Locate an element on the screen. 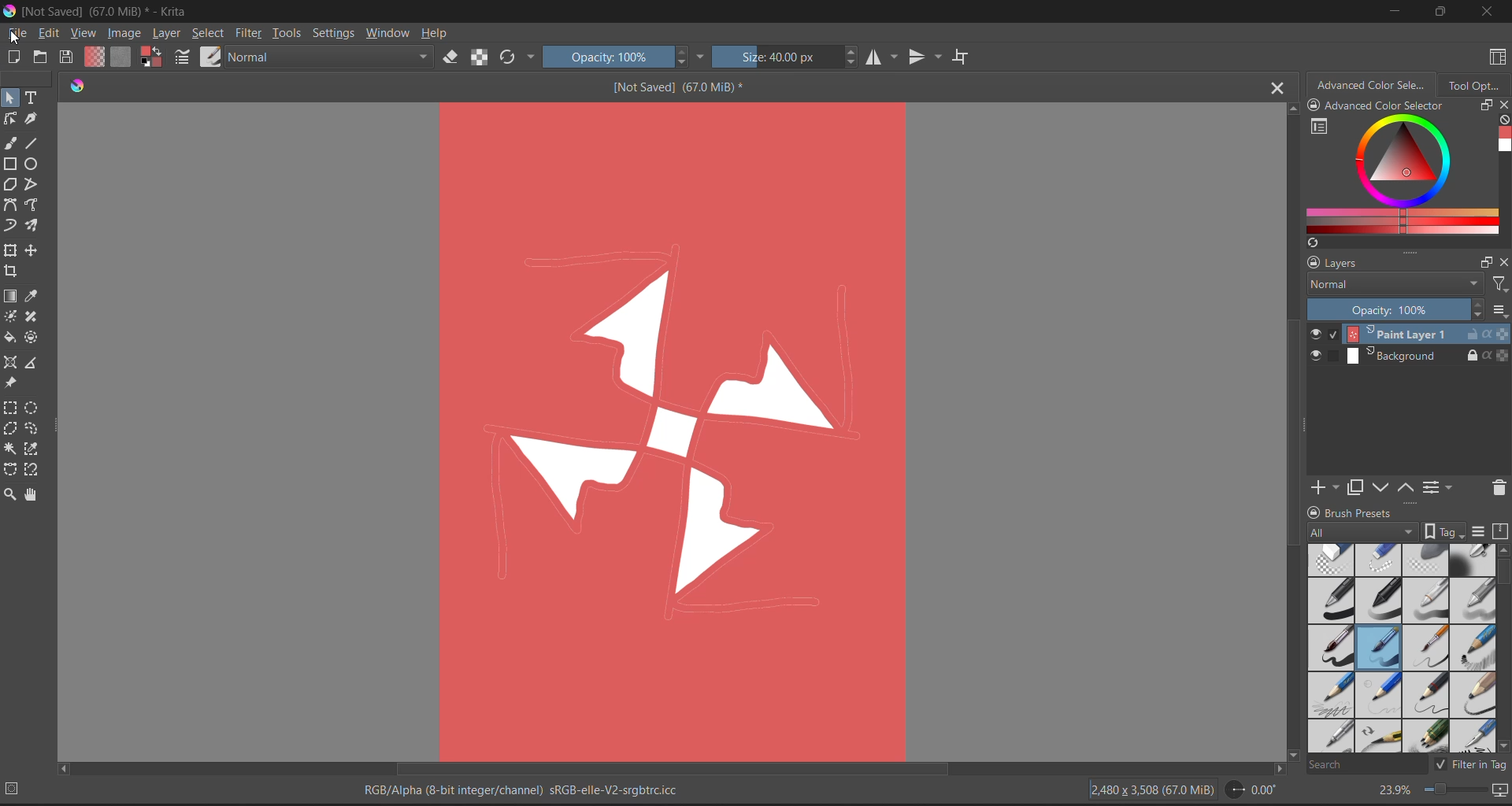 Image resolution: width=1512 pixels, height=806 pixels. lock/unlock docker is located at coordinates (1317, 106).